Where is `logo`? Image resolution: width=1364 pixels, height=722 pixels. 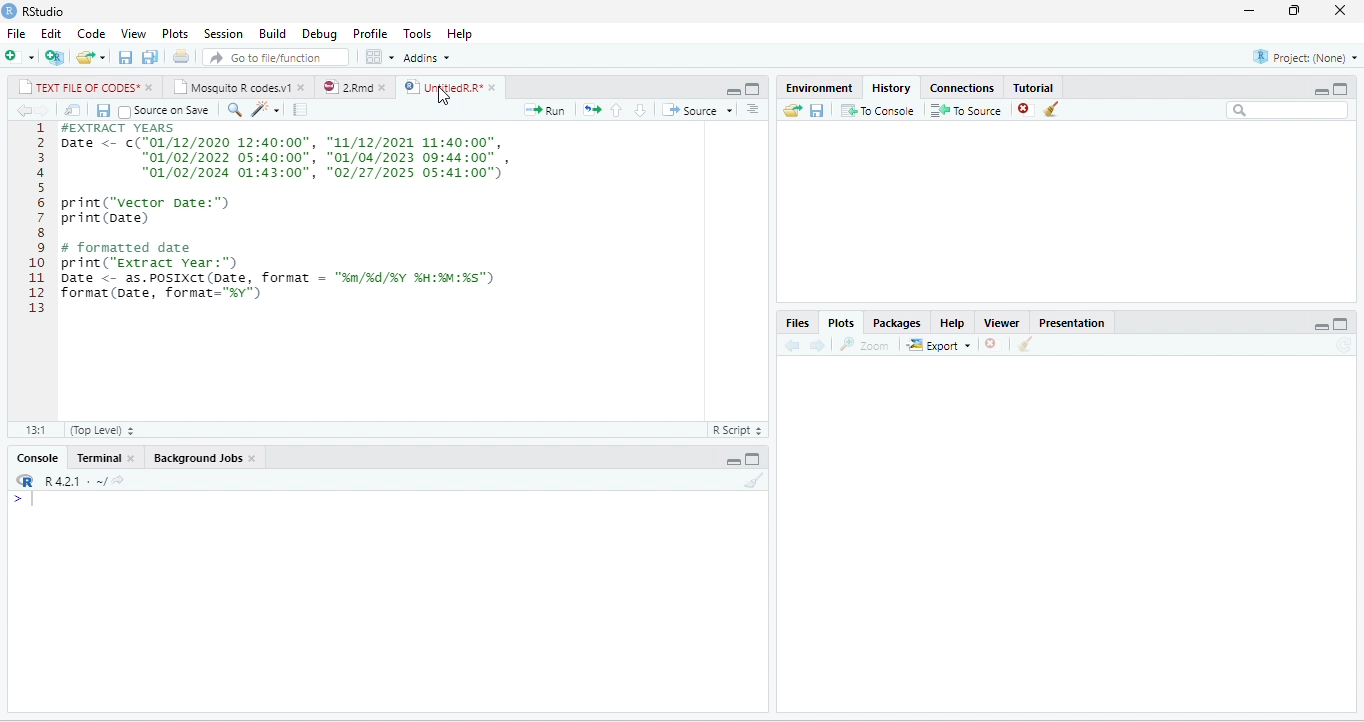
logo is located at coordinates (10, 11).